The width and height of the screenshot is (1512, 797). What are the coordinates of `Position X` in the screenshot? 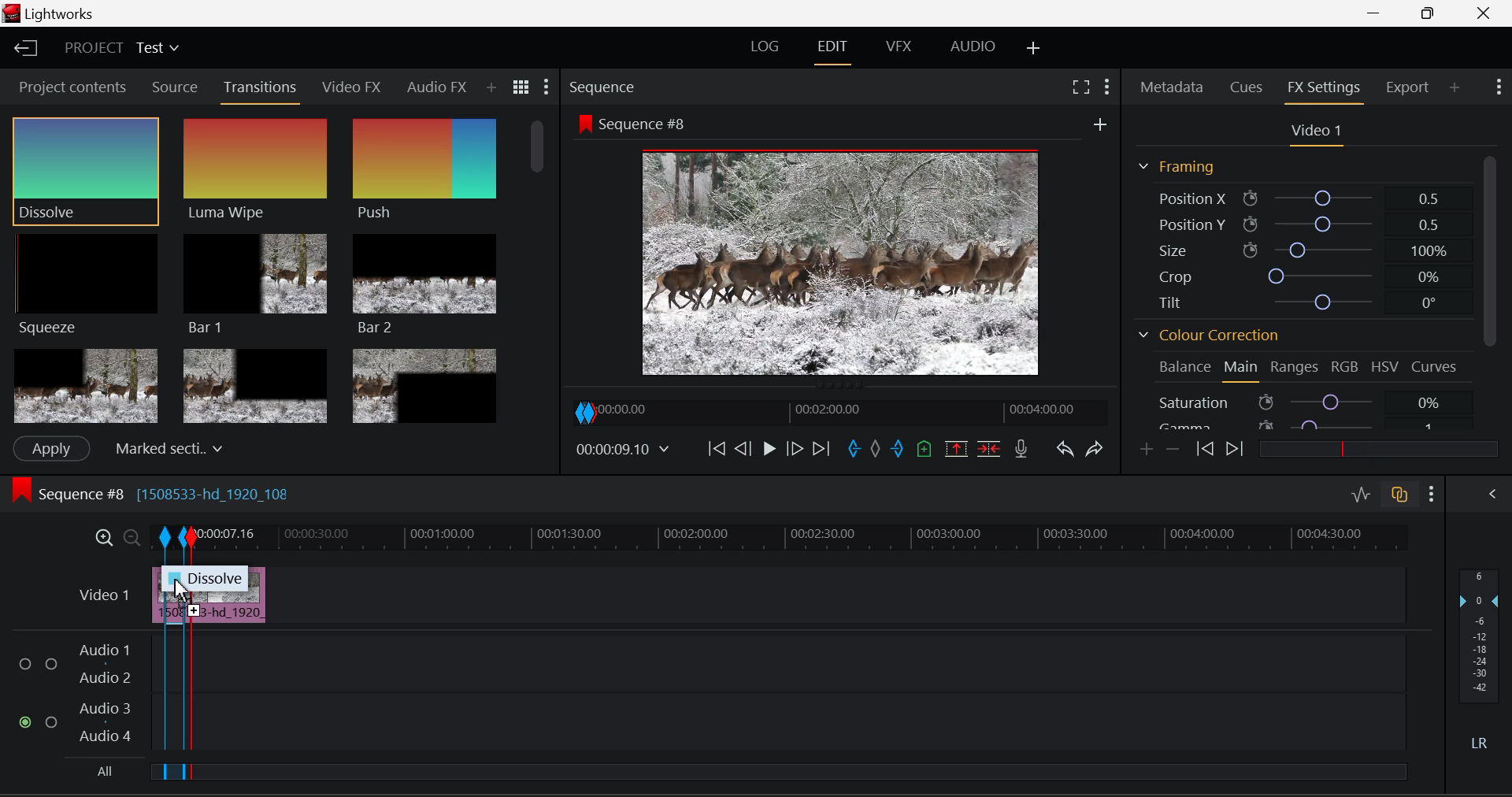 It's located at (1296, 196).